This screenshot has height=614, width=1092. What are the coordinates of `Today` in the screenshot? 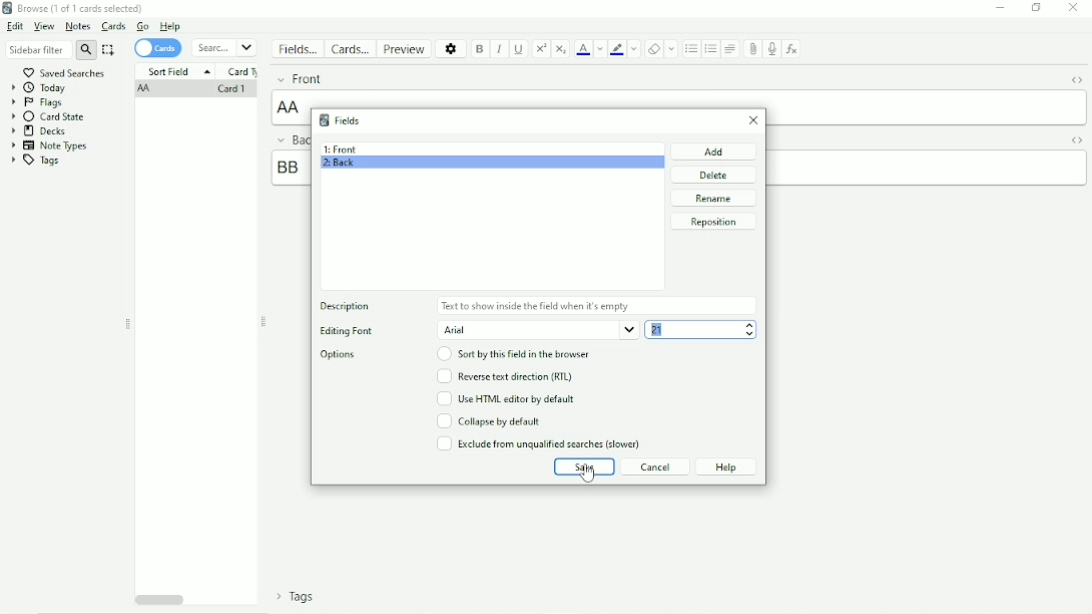 It's located at (40, 88).